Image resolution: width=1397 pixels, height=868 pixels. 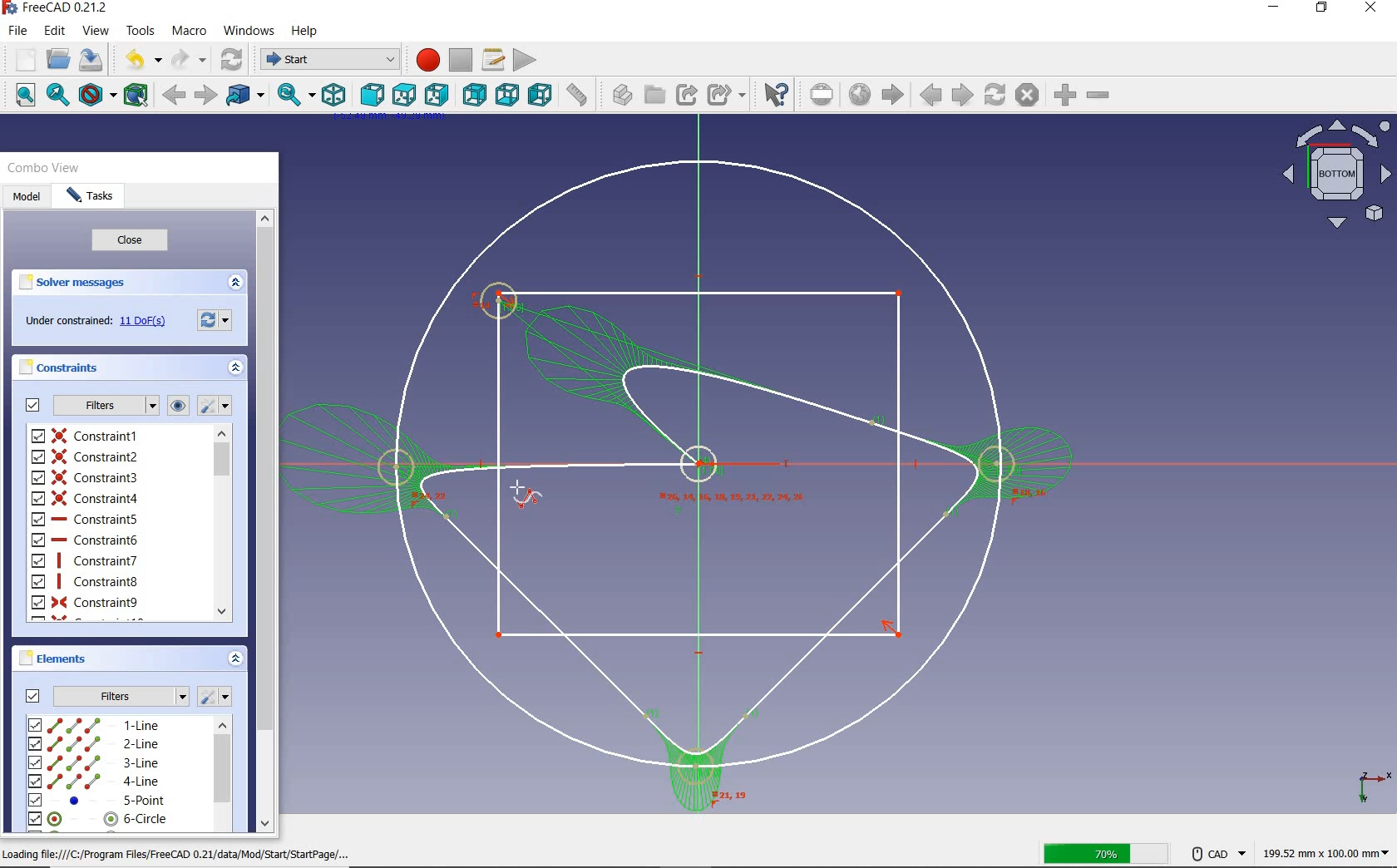 I want to click on expand, so click(x=234, y=366).